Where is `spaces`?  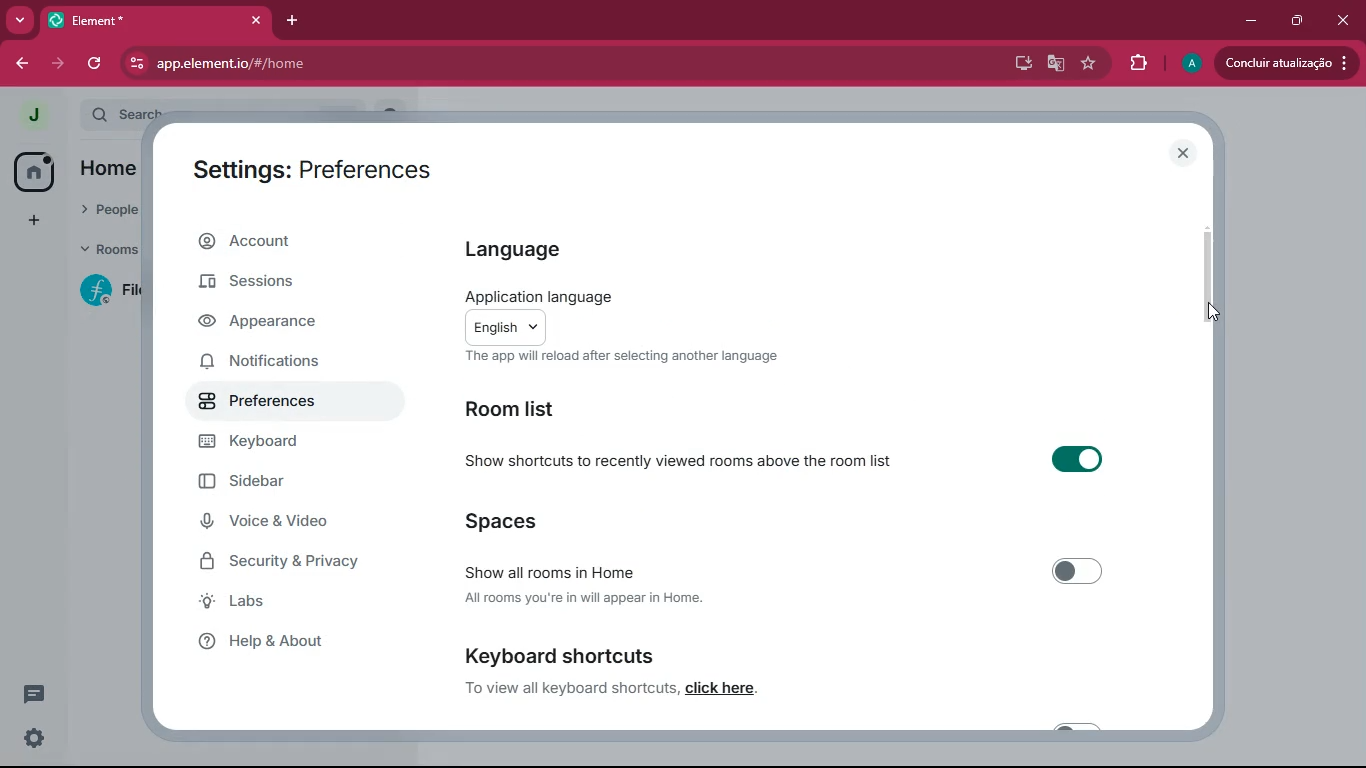
spaces is located at coordinates (534, 520).